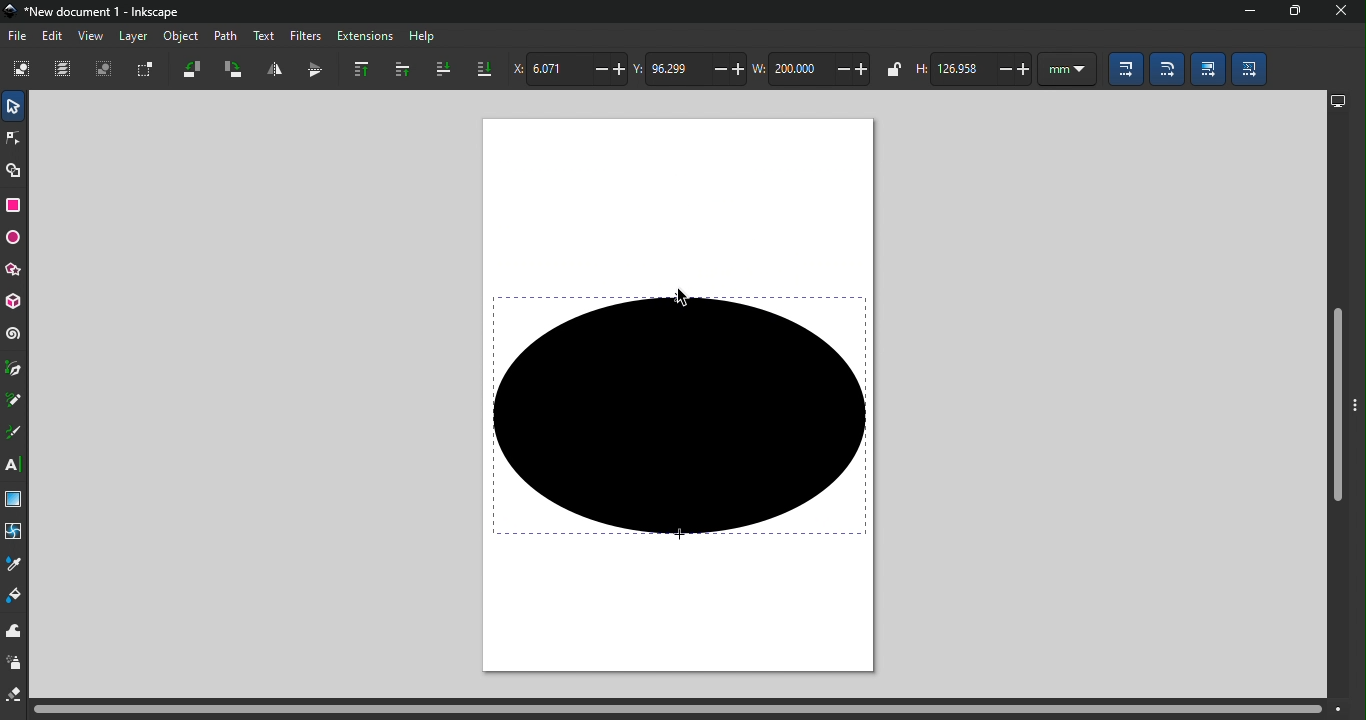 The image size is (1366, 720). Describe the element at coordinates (13, 432) in the screenshot. I see `Calligraphy tool` at that location.